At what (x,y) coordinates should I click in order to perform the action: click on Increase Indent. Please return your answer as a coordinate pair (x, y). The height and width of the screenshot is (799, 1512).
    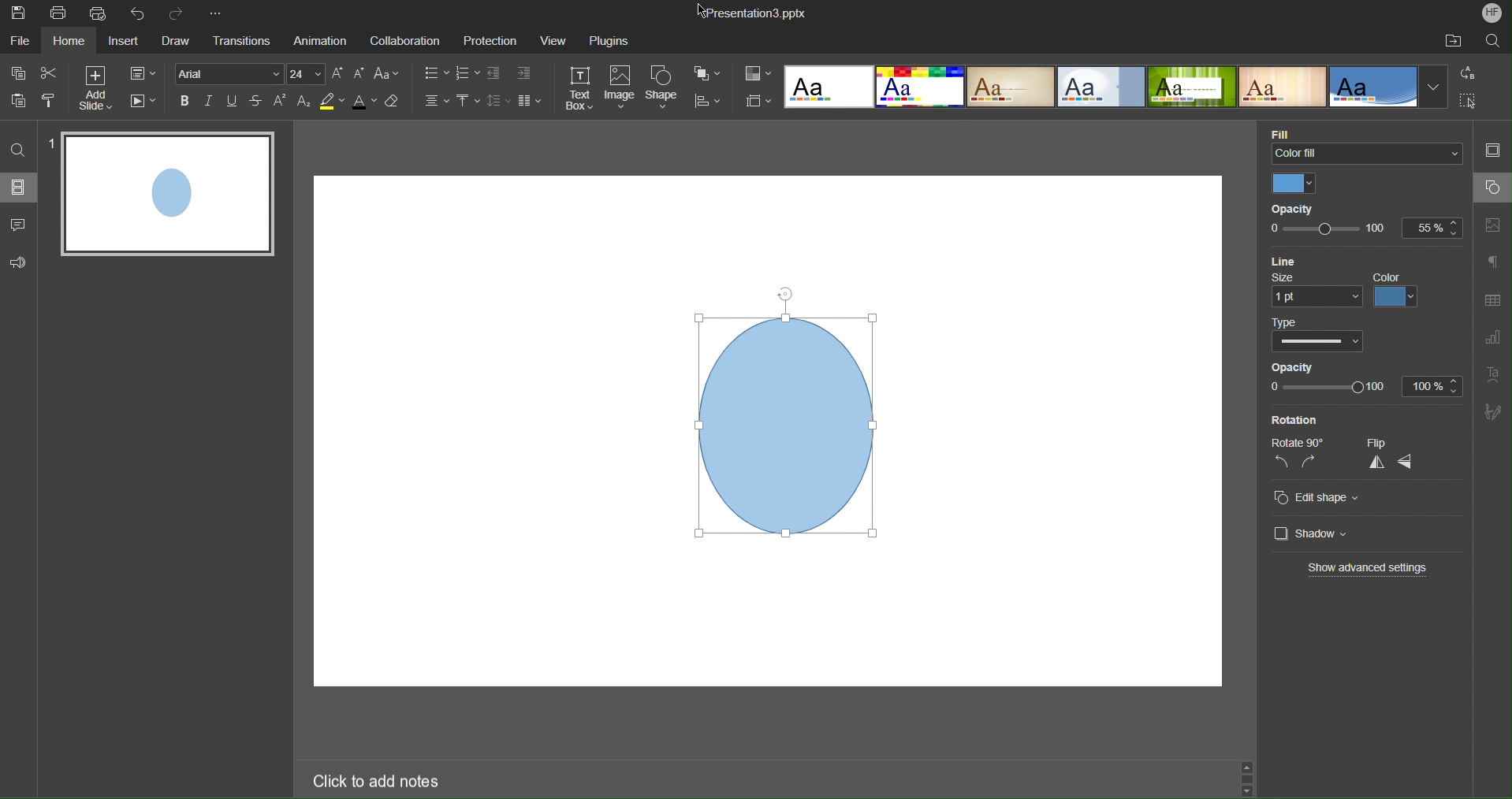
    Looking at the image, I should click on (524, 73).